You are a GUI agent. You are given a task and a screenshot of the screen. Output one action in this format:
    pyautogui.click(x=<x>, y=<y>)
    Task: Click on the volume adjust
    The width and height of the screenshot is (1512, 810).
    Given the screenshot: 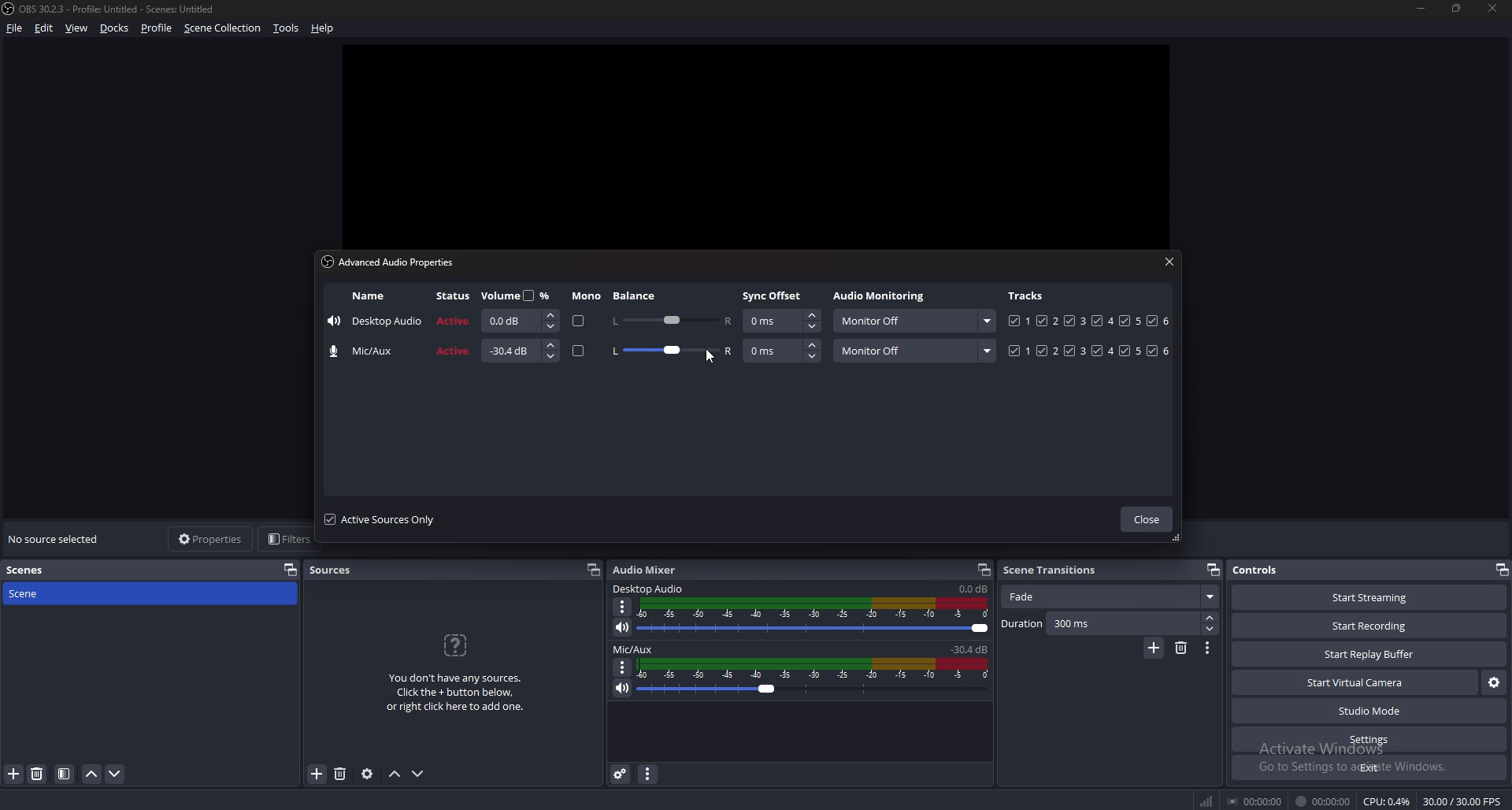 What is the action you would take?
    pyautogui.click(x=519, y=351)
    